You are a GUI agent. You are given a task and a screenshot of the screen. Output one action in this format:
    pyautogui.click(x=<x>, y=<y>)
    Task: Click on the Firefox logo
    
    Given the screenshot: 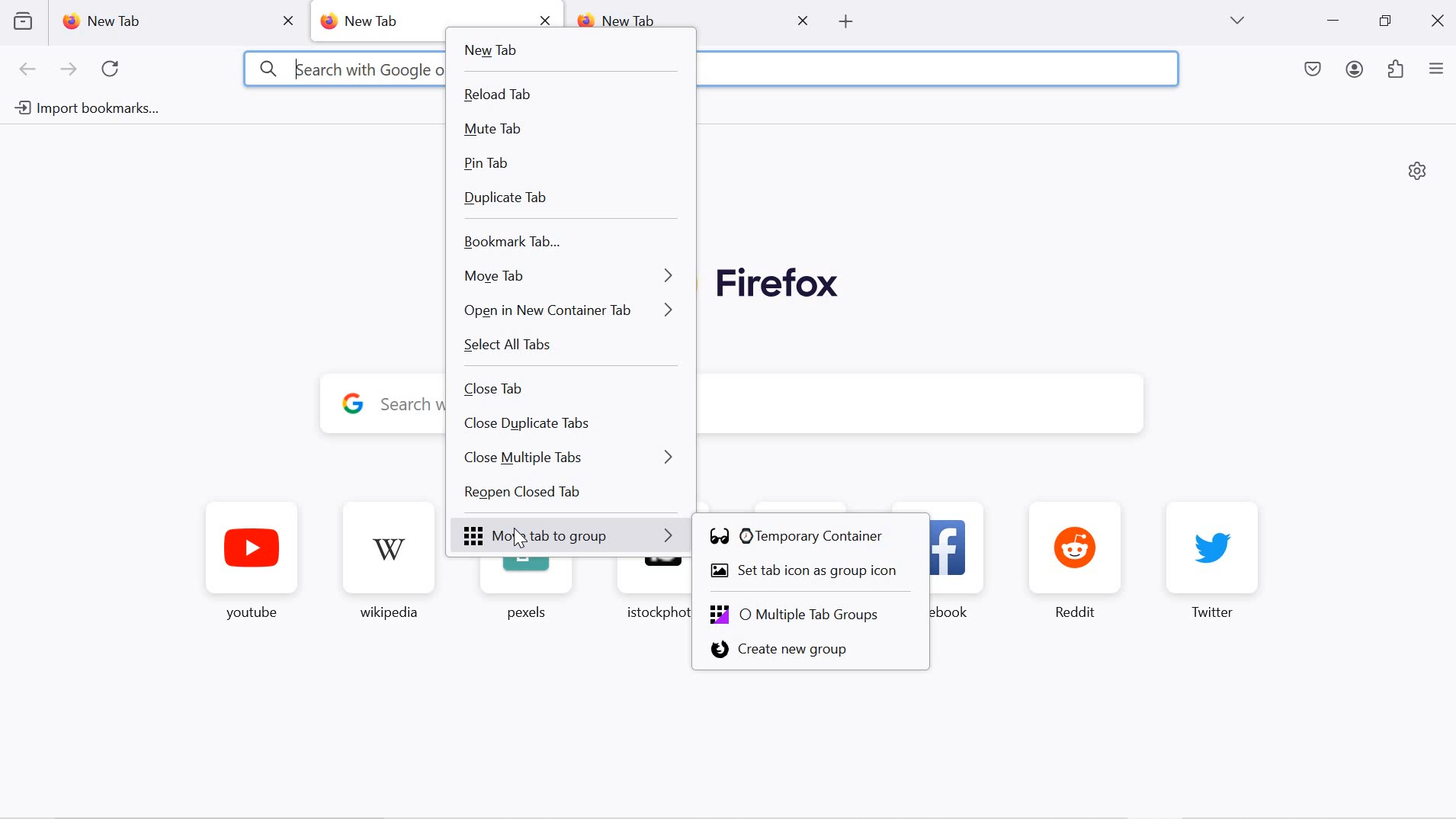 What is the action you would take?
    pyautogui.click(x=778, y=284)
    